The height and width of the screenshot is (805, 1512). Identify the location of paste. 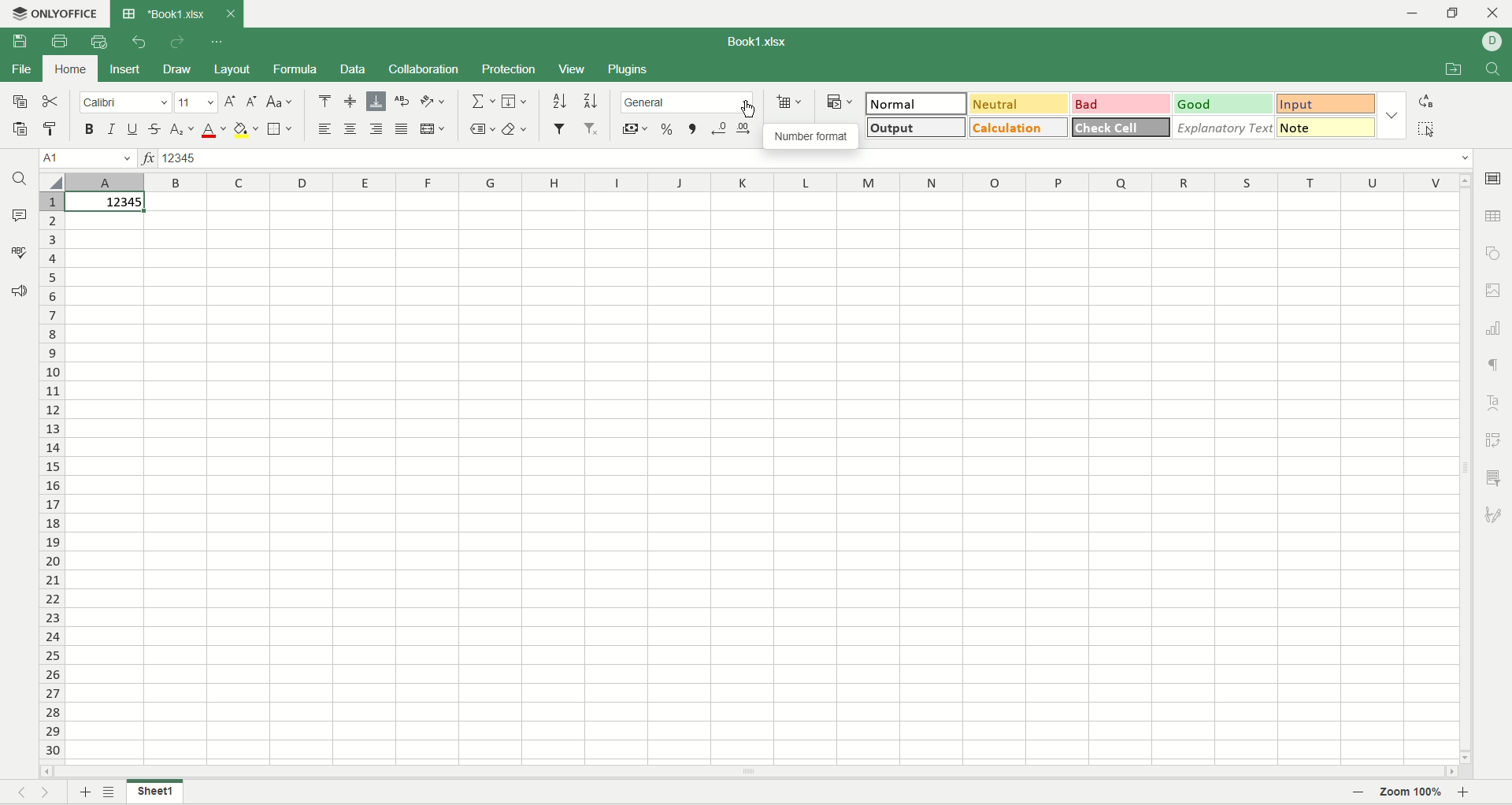
(20, 130).